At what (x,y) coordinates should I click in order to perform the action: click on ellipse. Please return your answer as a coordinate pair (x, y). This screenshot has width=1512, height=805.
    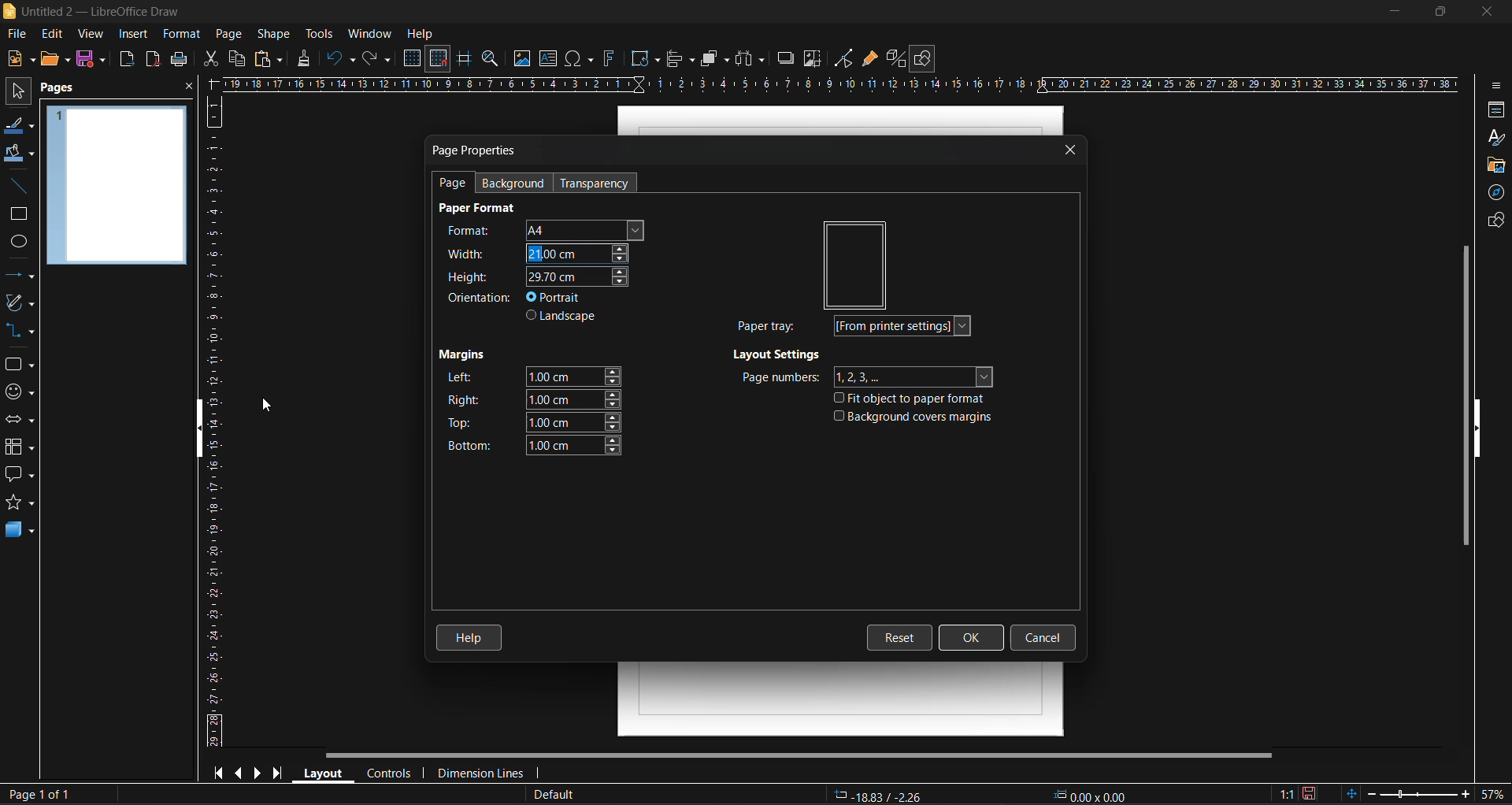
    Looking at the image, I should click on (19, 244).